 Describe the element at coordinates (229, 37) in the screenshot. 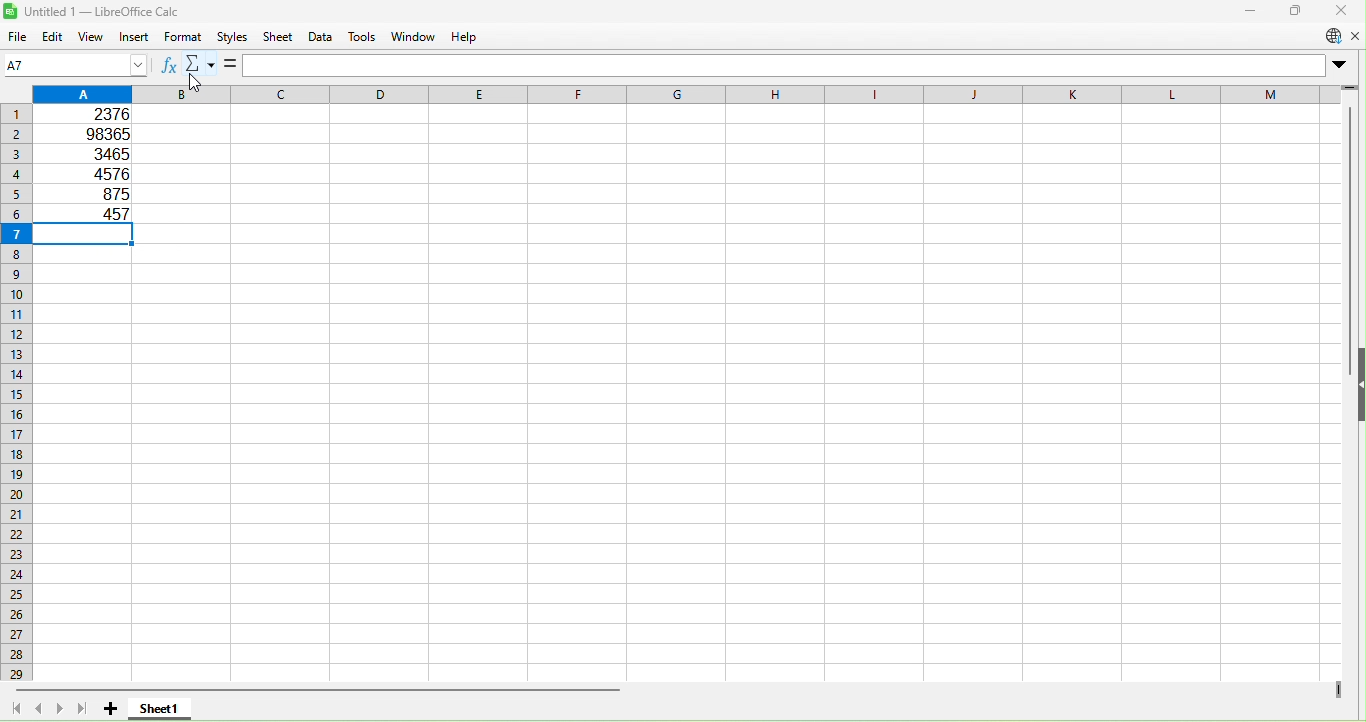

I see `Styles` at that location.